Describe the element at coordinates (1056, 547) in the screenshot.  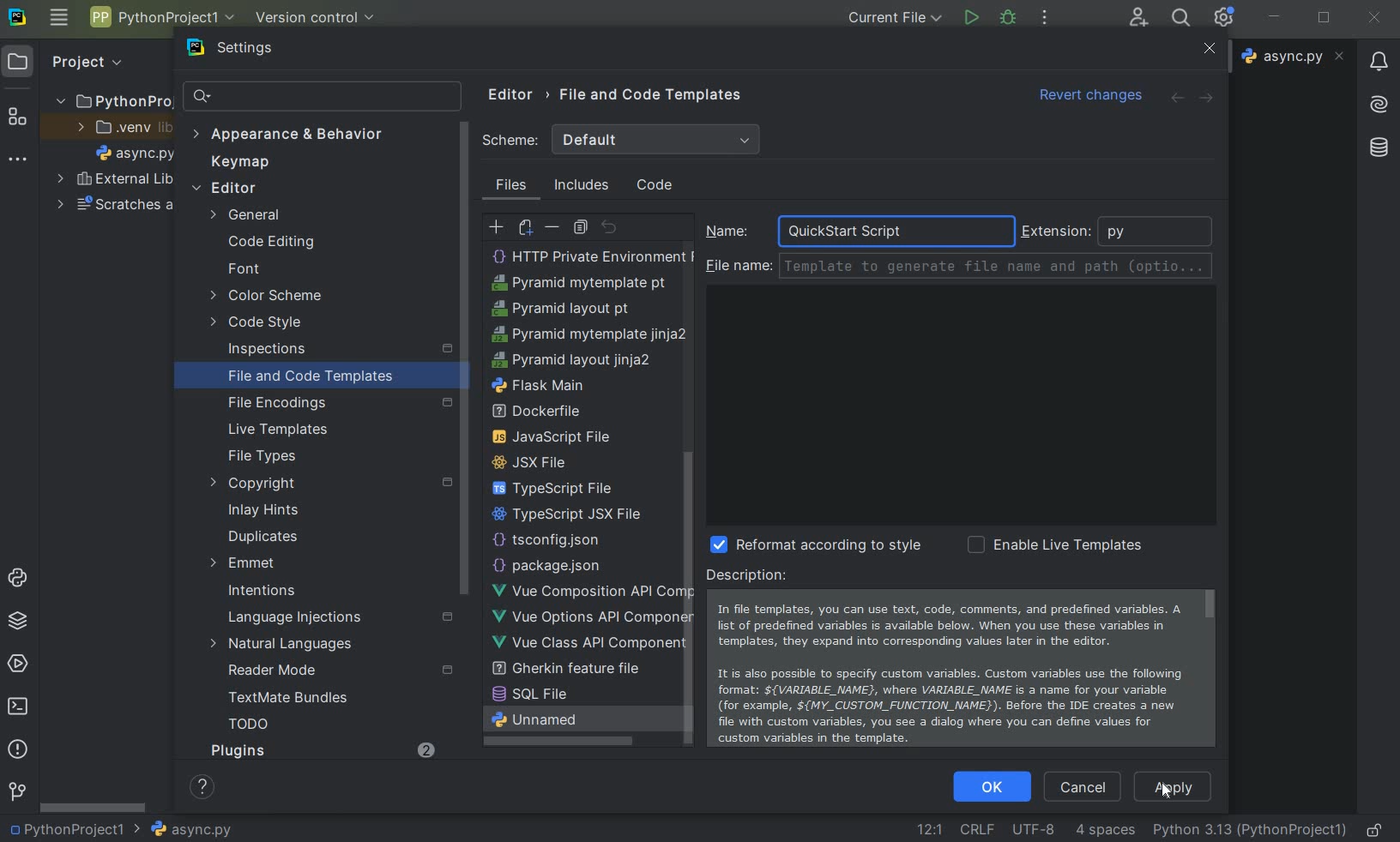
I see `enable live template` at that location.